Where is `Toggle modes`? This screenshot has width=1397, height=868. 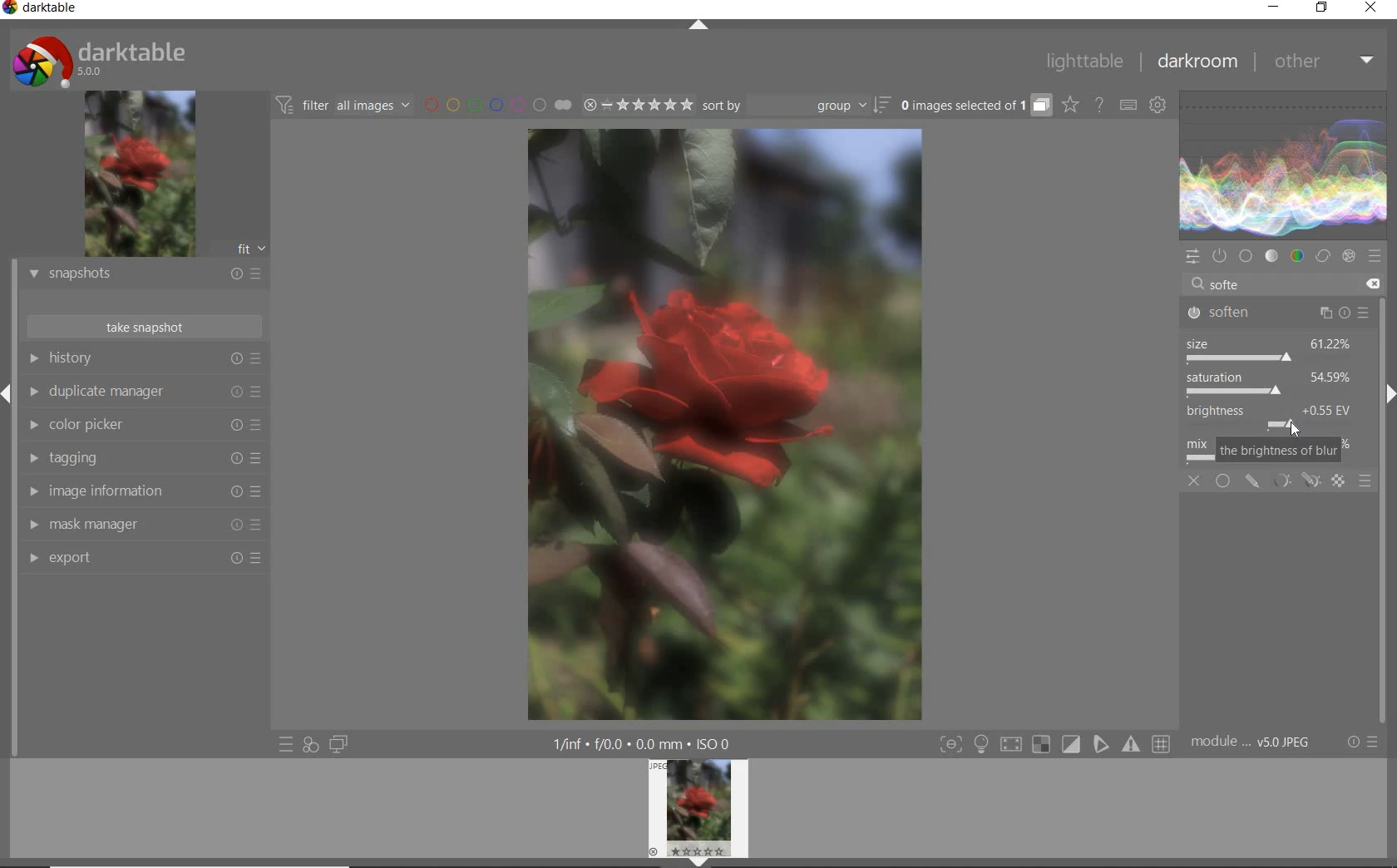
Toggle modes is located at coordinates (1052, 744).